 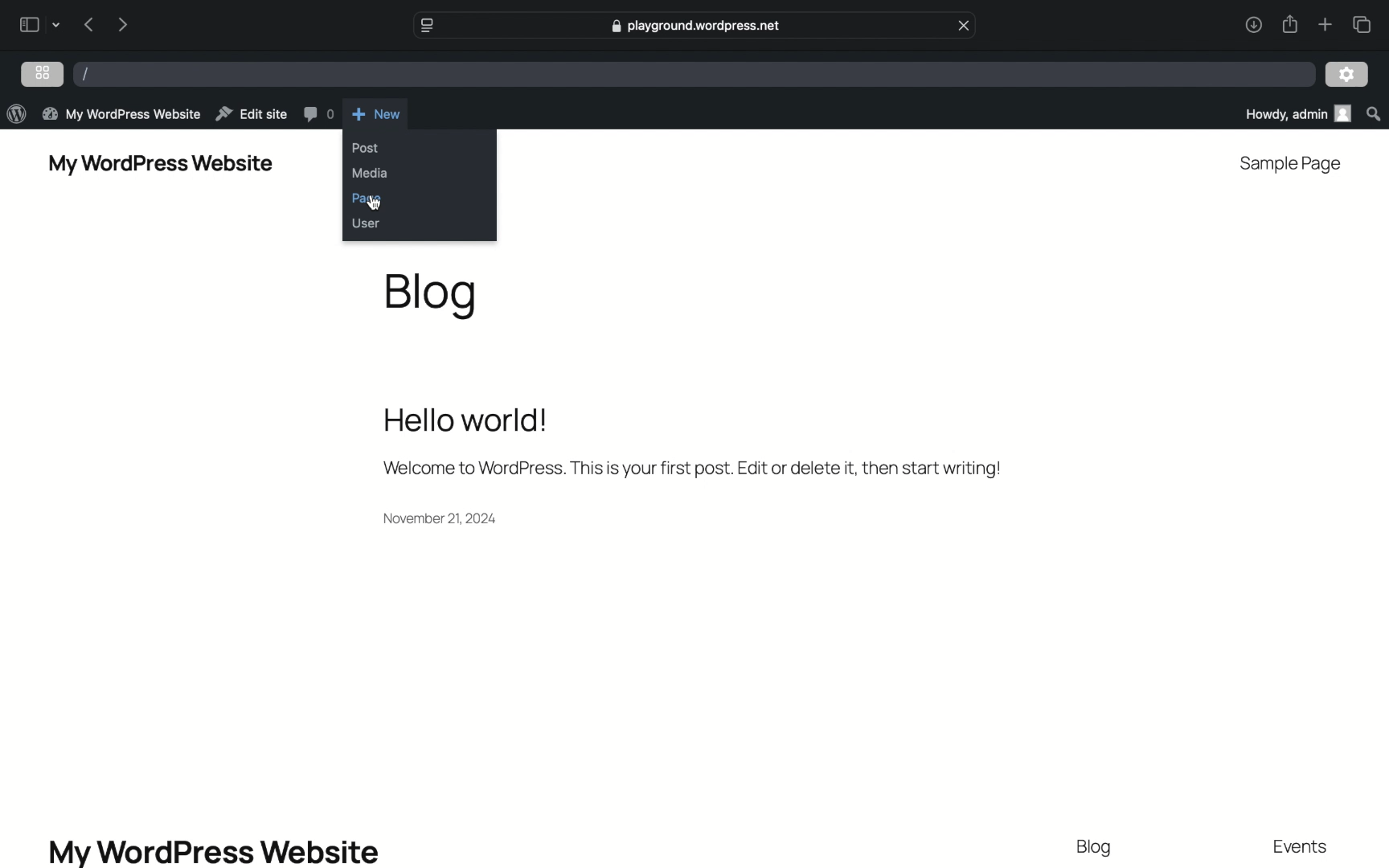 What do you see at coordinates (1324, 25) in the screenshot?
I see `new tab` at bounding box center [1324, 25].